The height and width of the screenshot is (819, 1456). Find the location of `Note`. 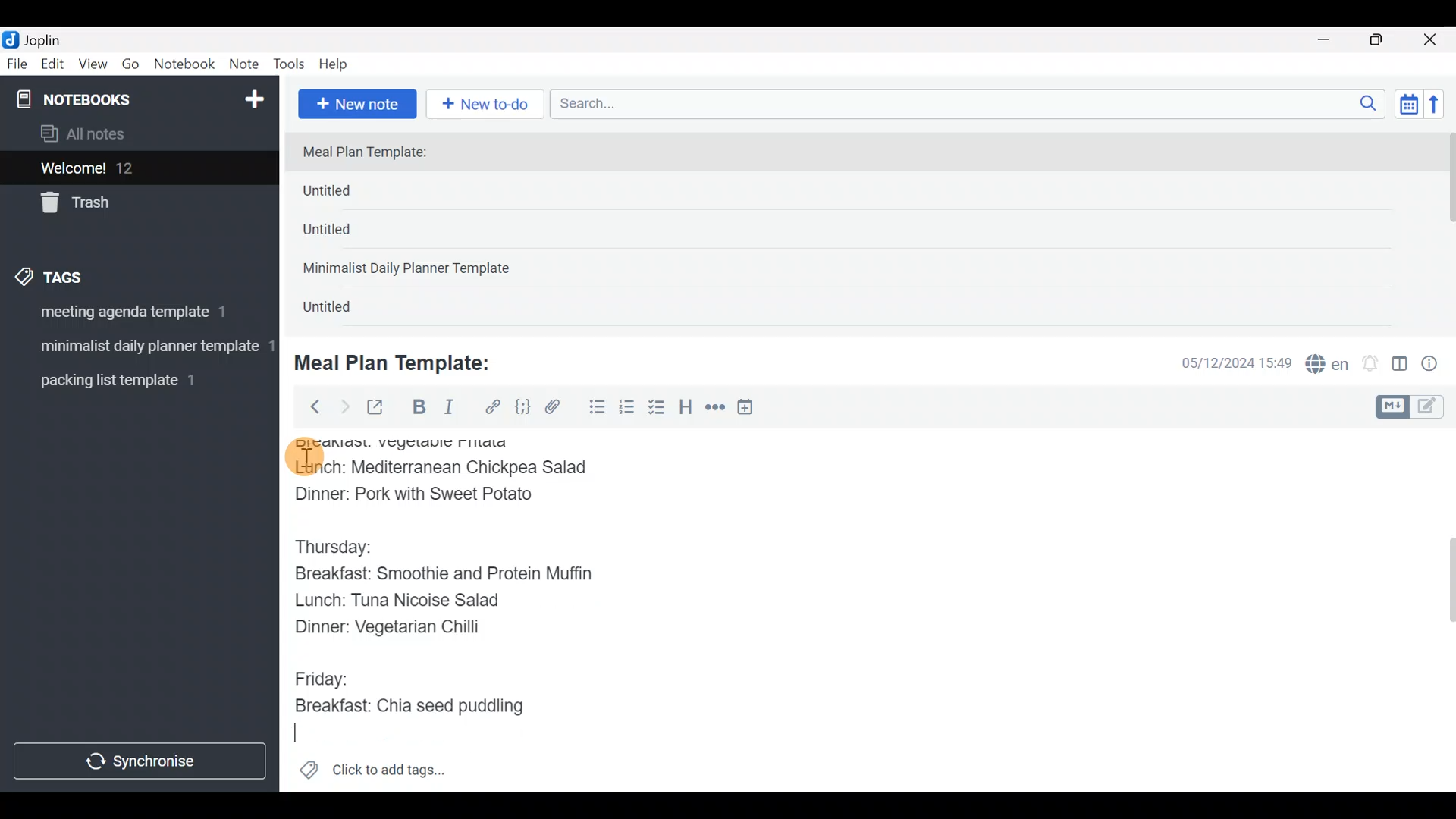

Note is located at coordinates (247, 65).